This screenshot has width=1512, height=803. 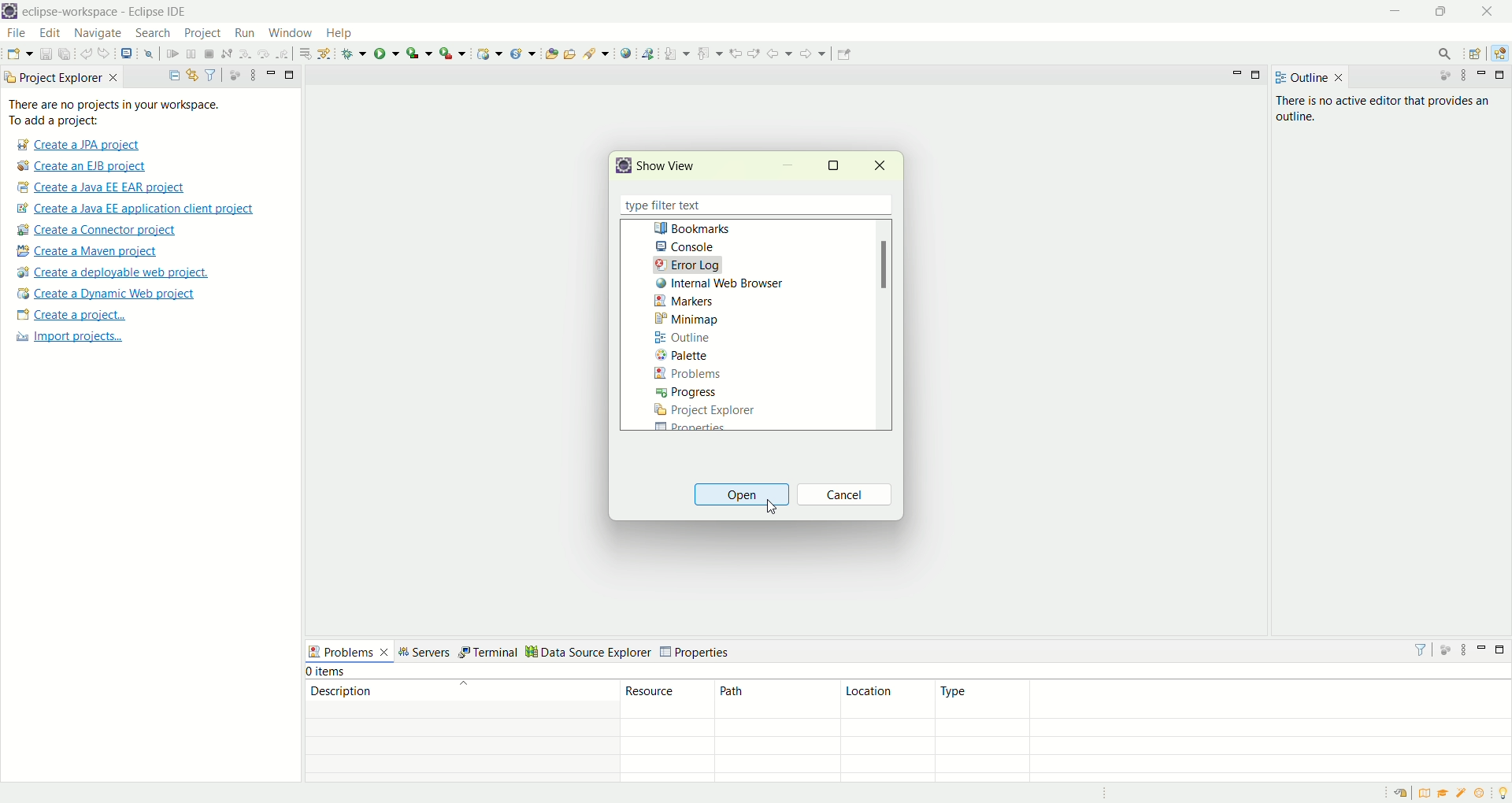 What do you see at coordinates (489, 53) in the screenshot?
I see `create a dynamic web project` at bounding box center [489, 53].